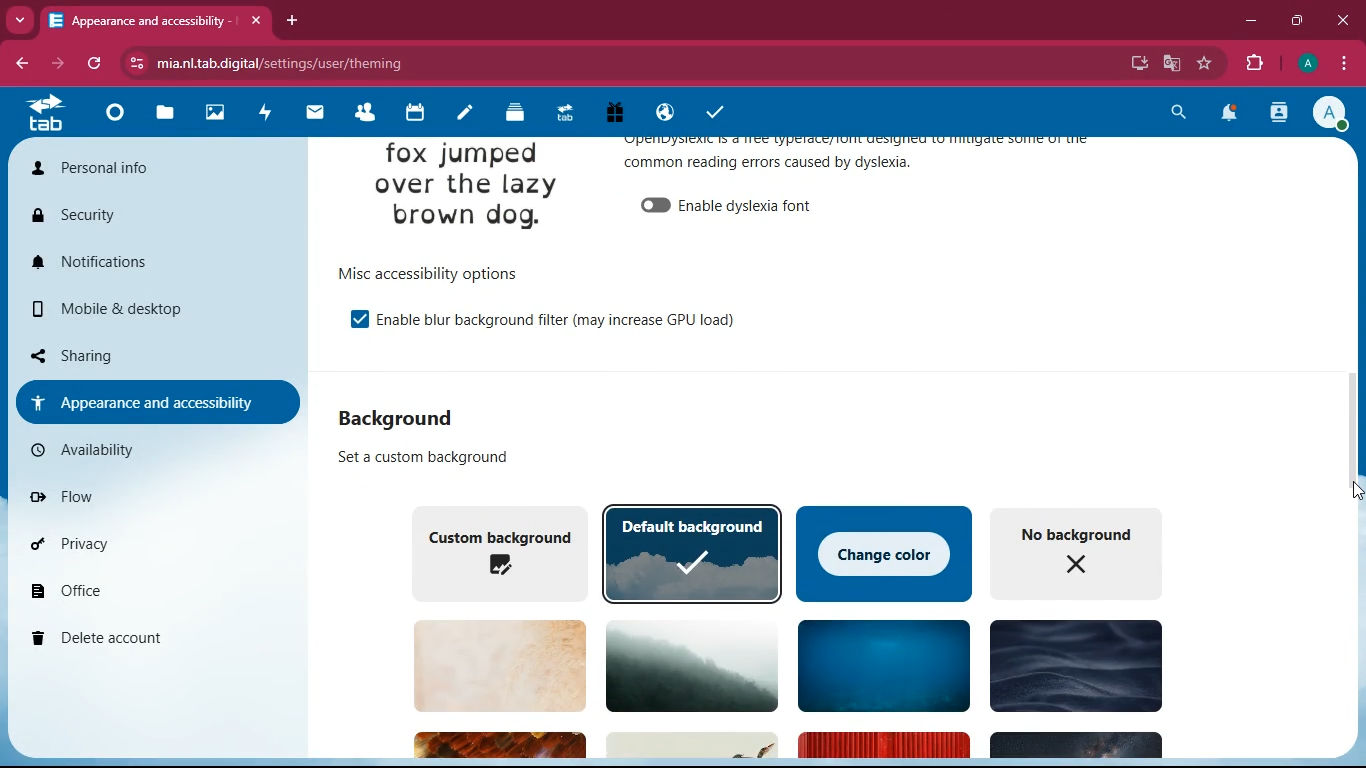 Image resolution: width=1366 pixels, height=768 pixels. Describe the element at coordinates (563, 321) in the screenshot. I see `enable` at that location.